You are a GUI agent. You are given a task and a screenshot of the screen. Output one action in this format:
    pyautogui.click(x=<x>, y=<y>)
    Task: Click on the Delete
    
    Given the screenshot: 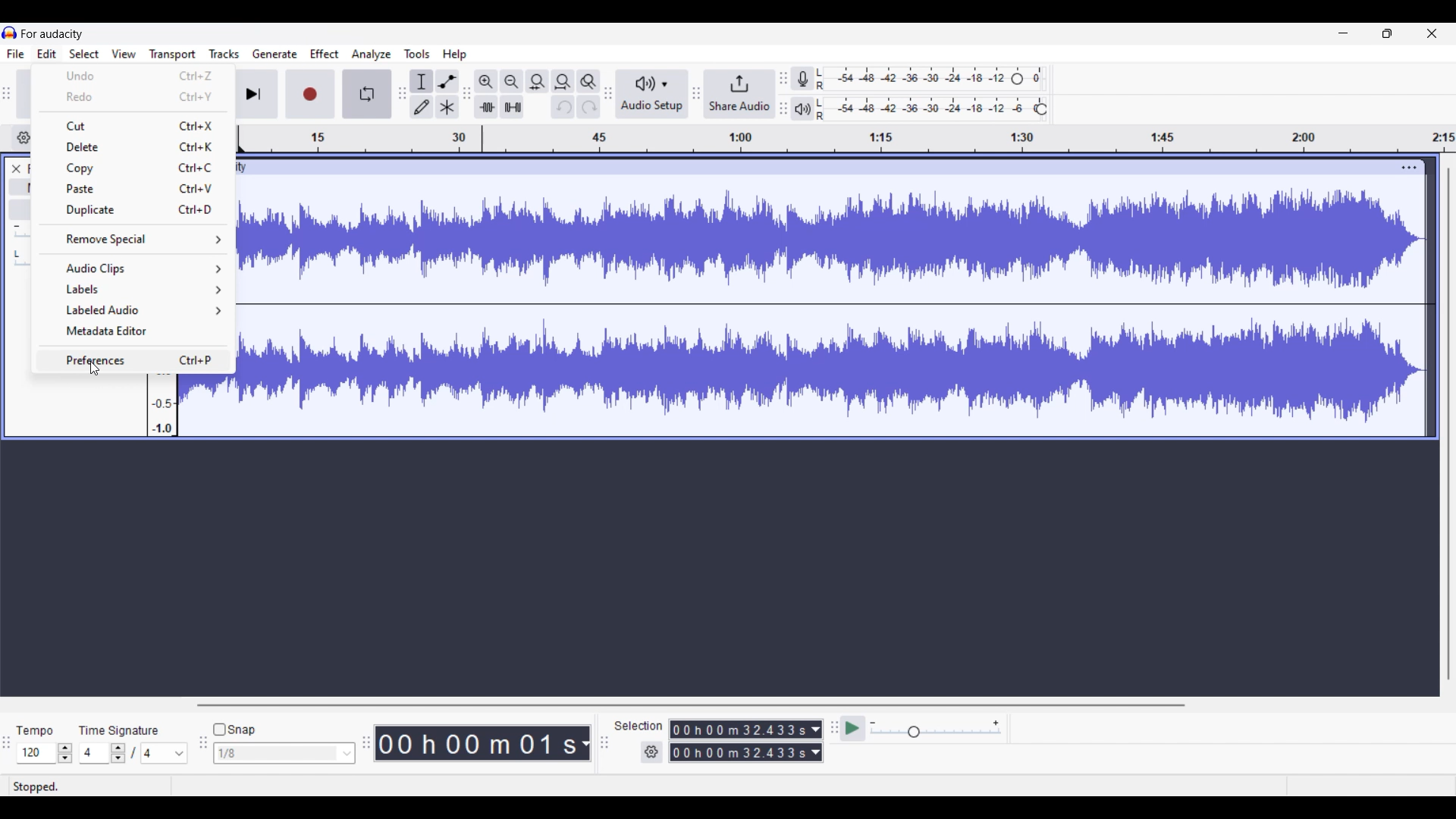 What is the action you would take?
    pyautogui.click(x=134, y=146)
    